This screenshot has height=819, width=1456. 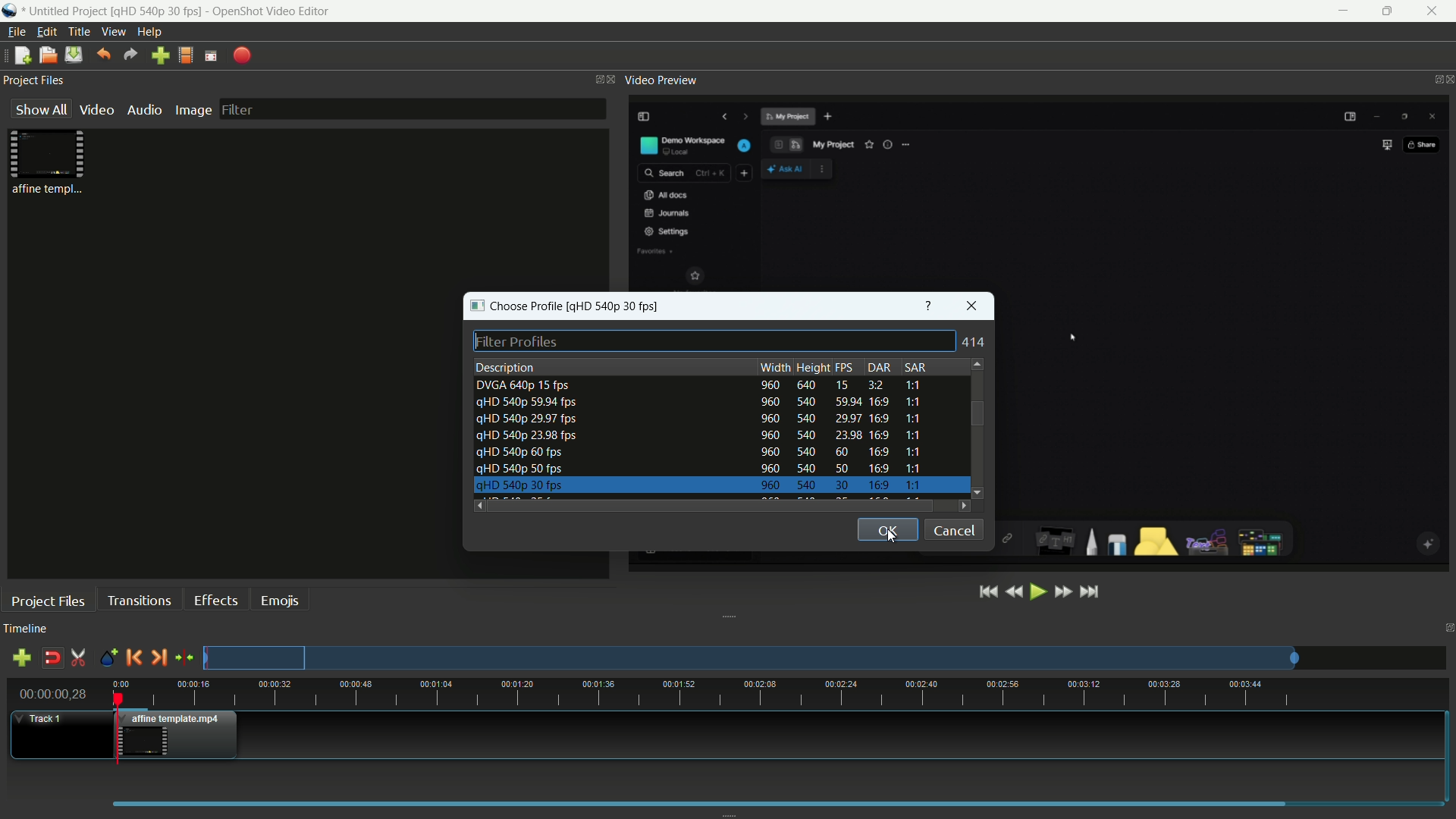 What do you see at coordinates (240, 57) in the screenshot?
I see `export` at bounding box center [240, 57].